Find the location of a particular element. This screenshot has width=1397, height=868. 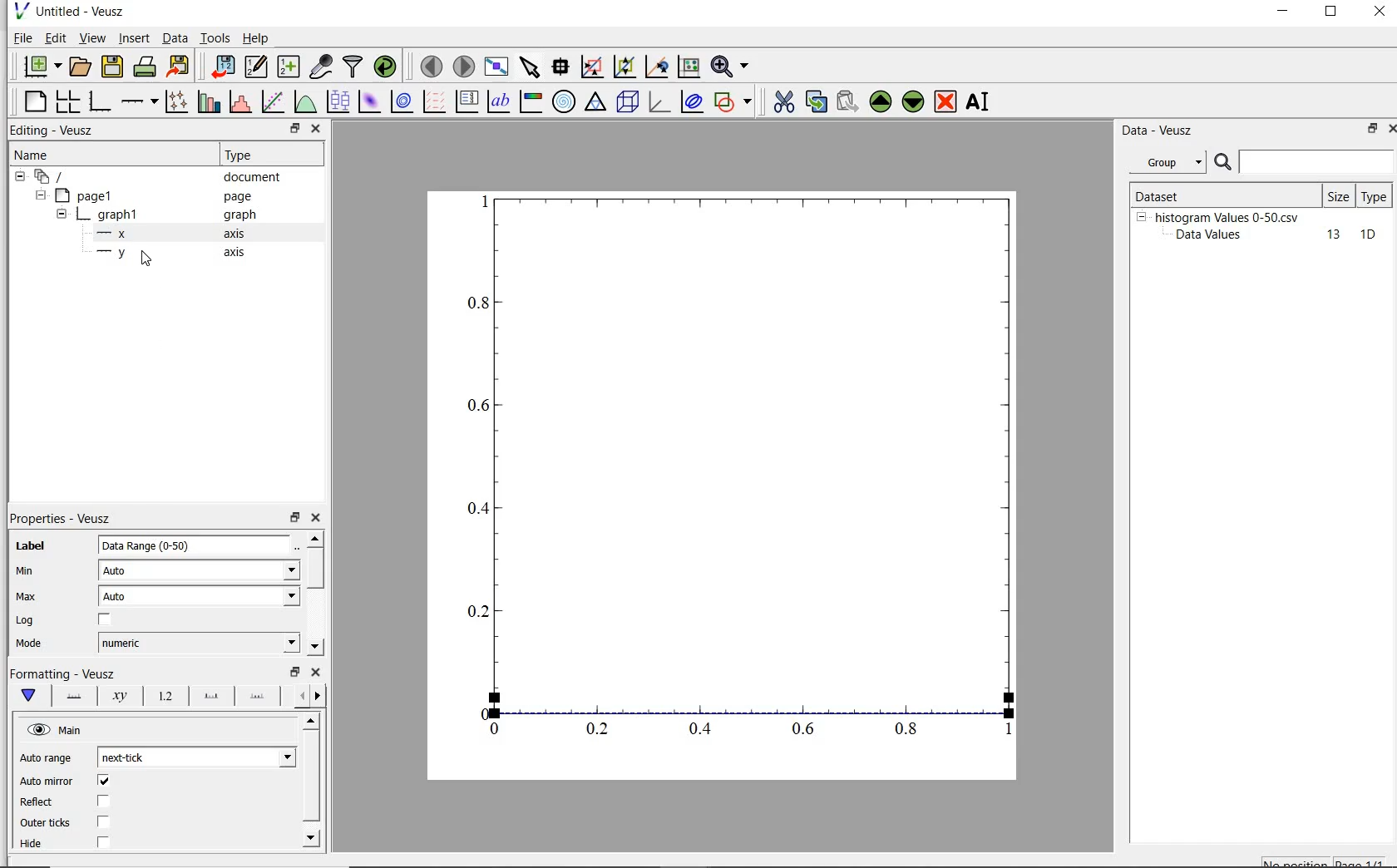

 Data Range (0-50) is located at coordinates (195, 545).